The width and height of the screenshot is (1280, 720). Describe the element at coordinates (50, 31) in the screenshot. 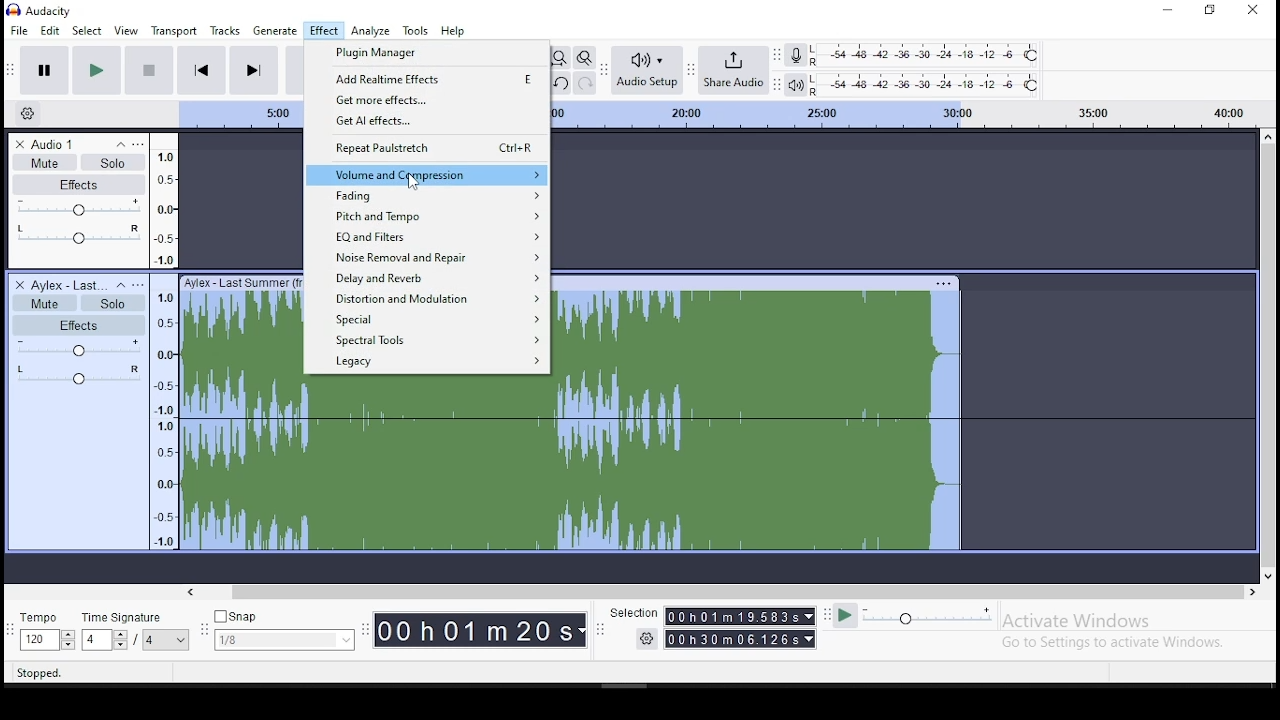

I see `edit` at that location.